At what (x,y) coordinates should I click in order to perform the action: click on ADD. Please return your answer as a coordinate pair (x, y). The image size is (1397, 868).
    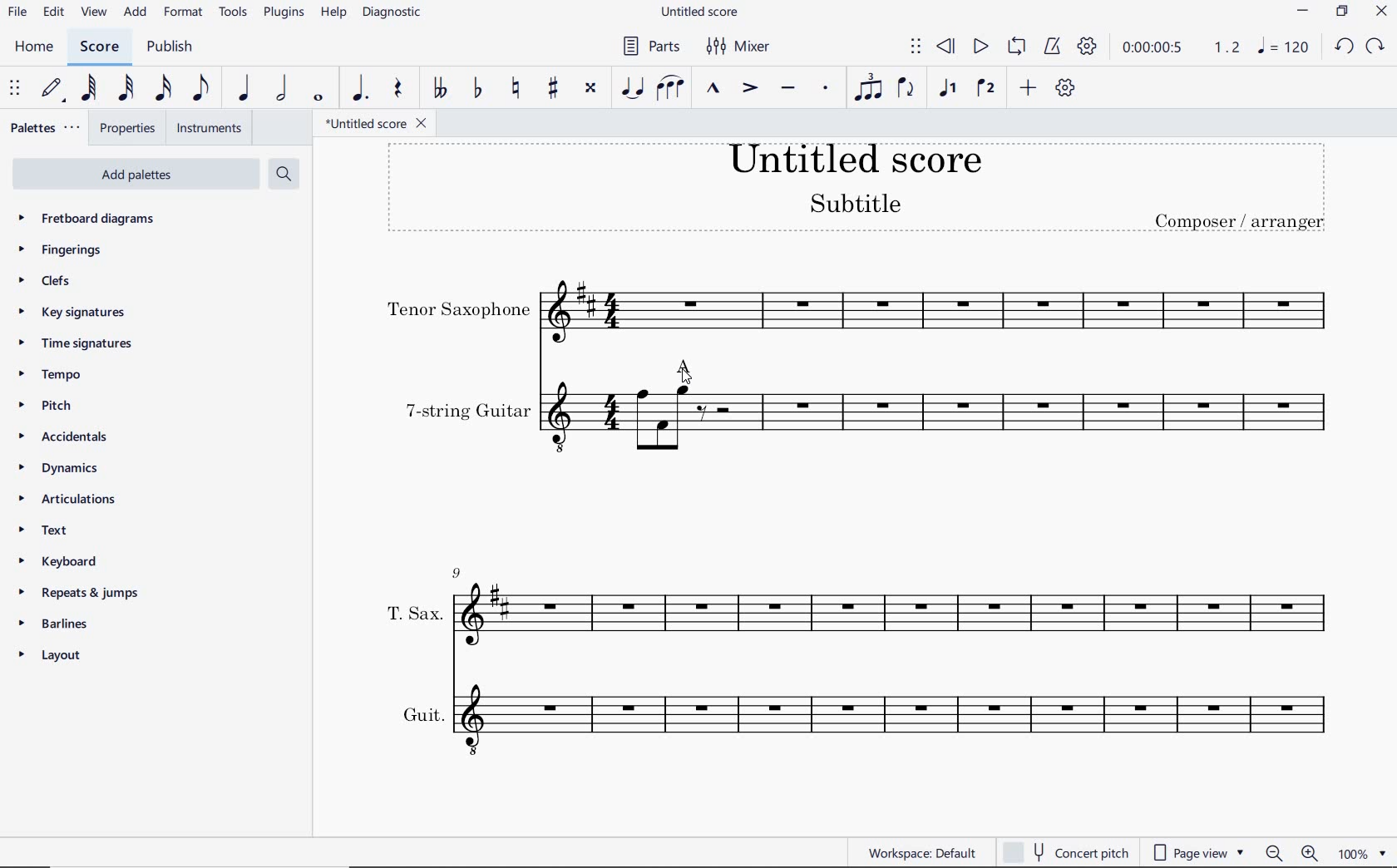
    Looking at the image, I should click on (136, 12).